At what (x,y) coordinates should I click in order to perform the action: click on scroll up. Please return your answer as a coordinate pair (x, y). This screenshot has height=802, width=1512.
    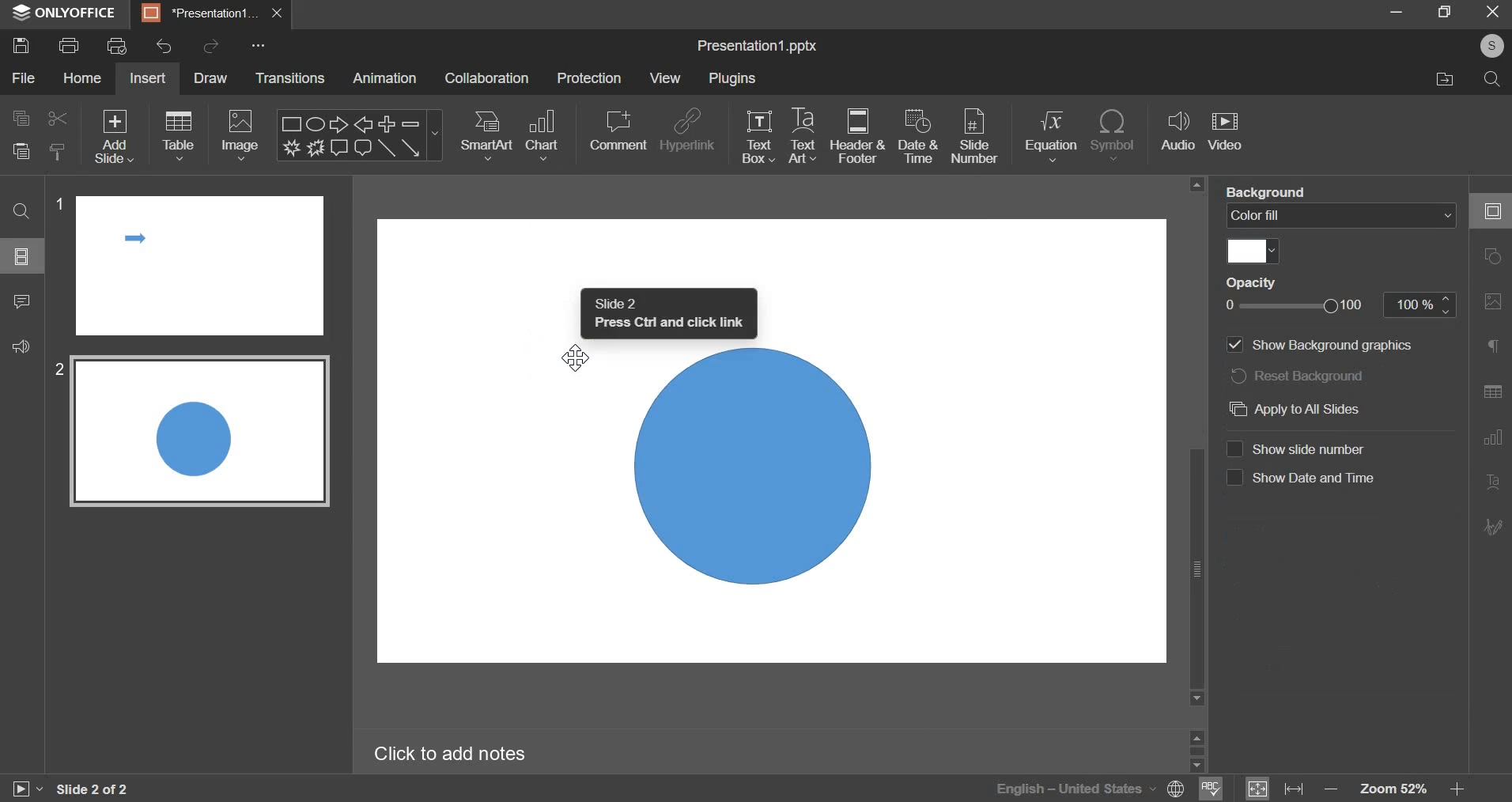
    Looking at the image, I should click on (1197, 183).